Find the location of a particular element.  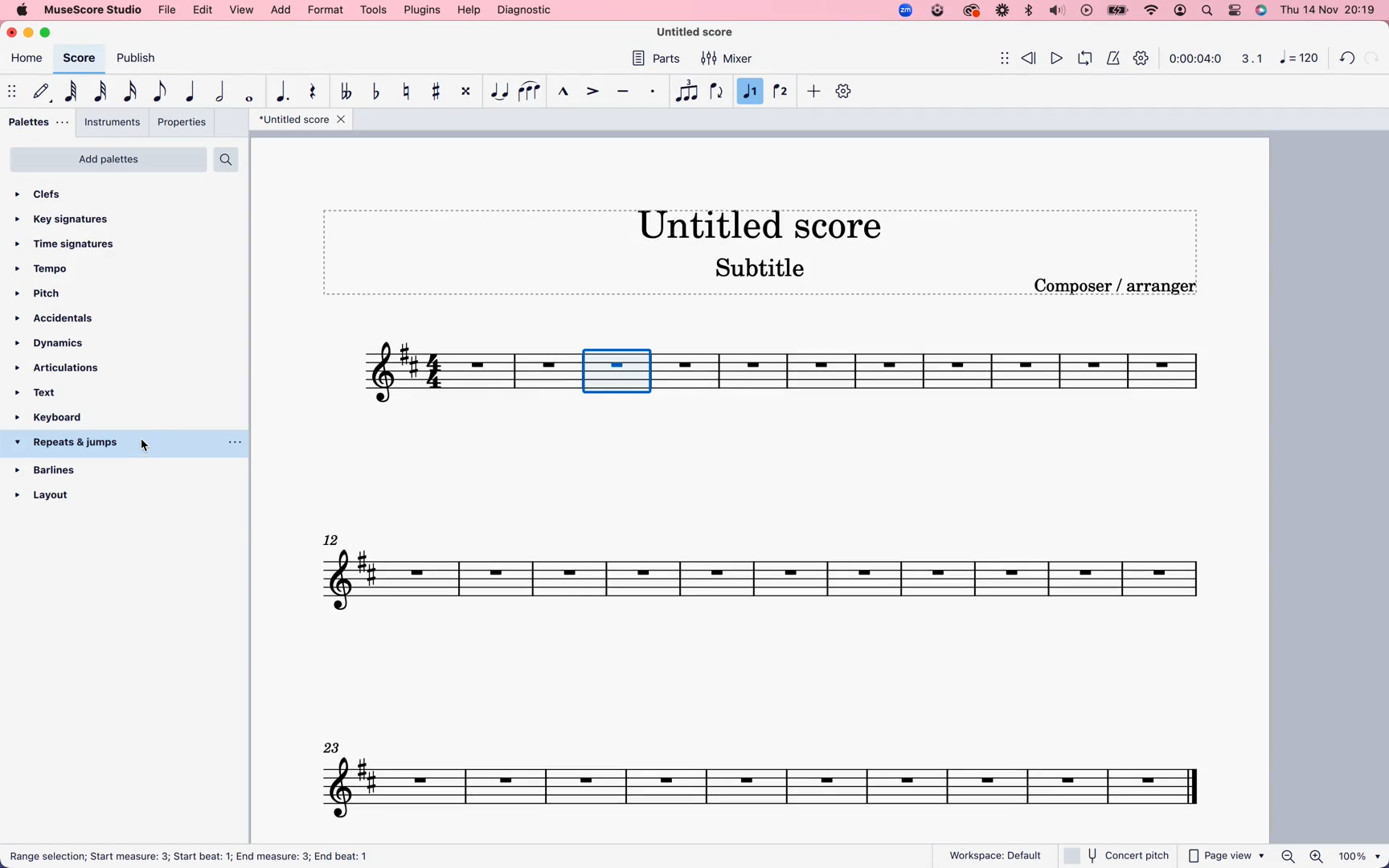

wifi is located at coordinates (1153, 10).